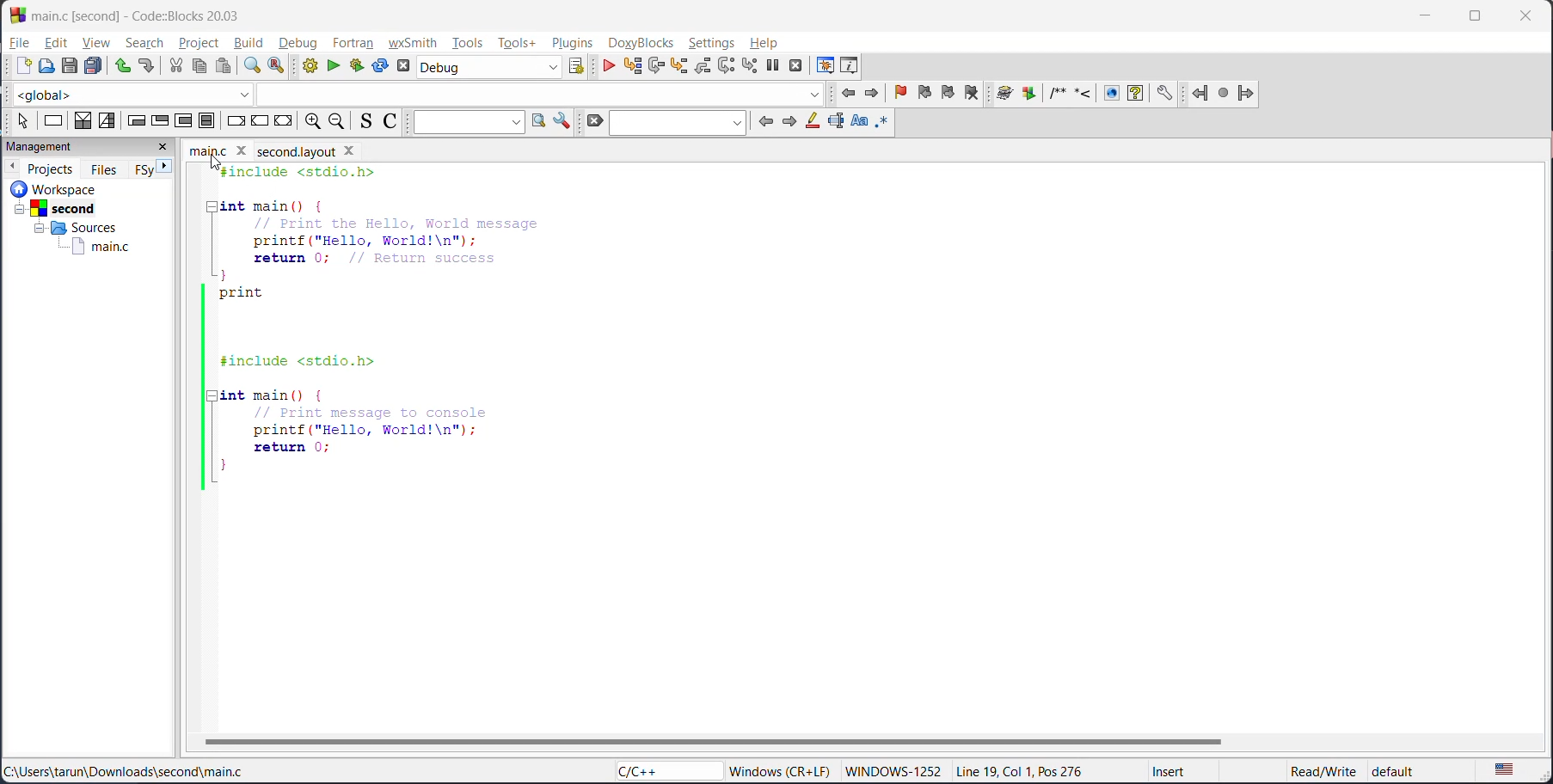 The width and height of the screenshot is (1553, 784). Describe the element at coordinates (771, 43) in the screenshot. I see `help` at that location.